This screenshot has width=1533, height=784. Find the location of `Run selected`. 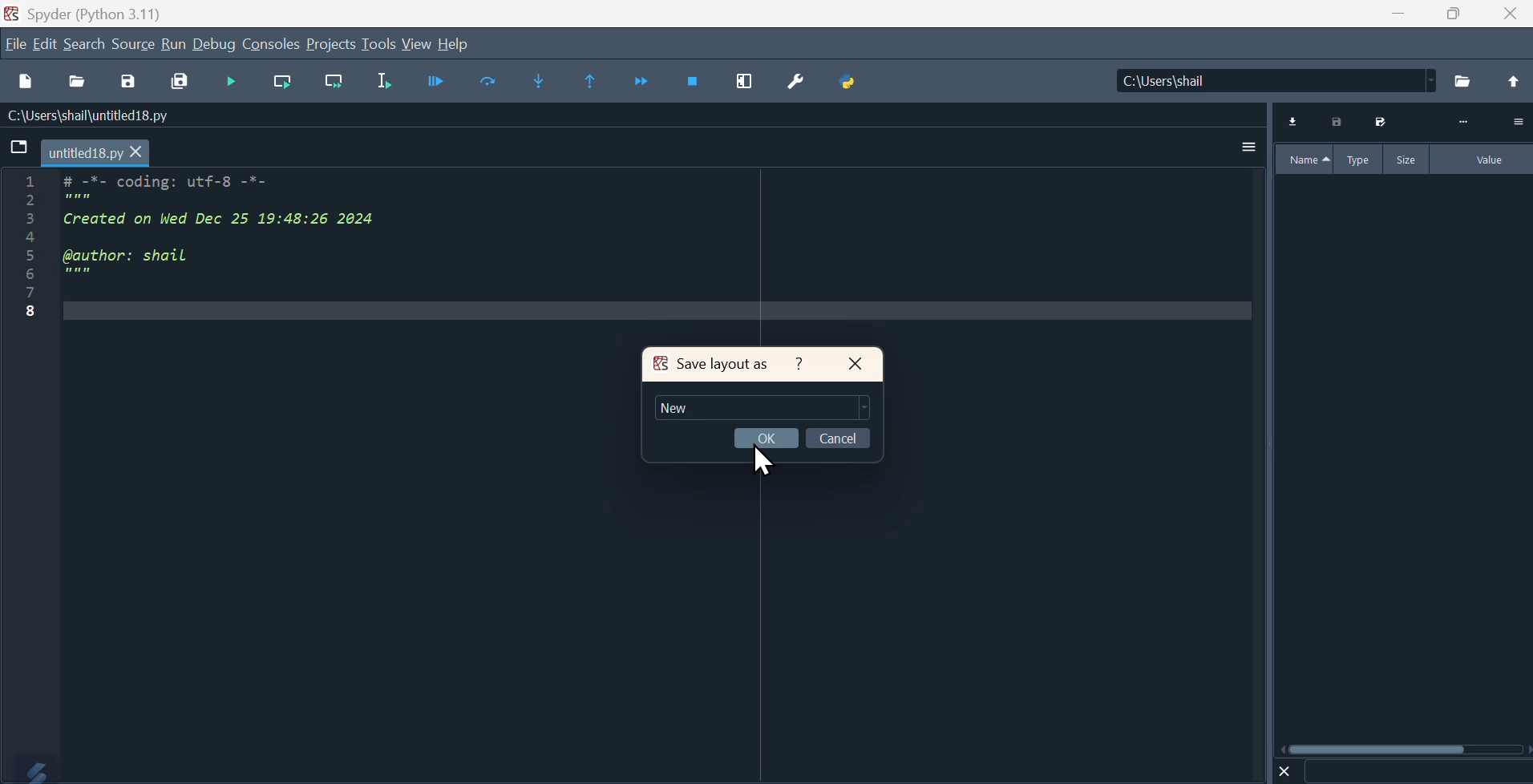

Run selected is located at coordinates (384, 82).